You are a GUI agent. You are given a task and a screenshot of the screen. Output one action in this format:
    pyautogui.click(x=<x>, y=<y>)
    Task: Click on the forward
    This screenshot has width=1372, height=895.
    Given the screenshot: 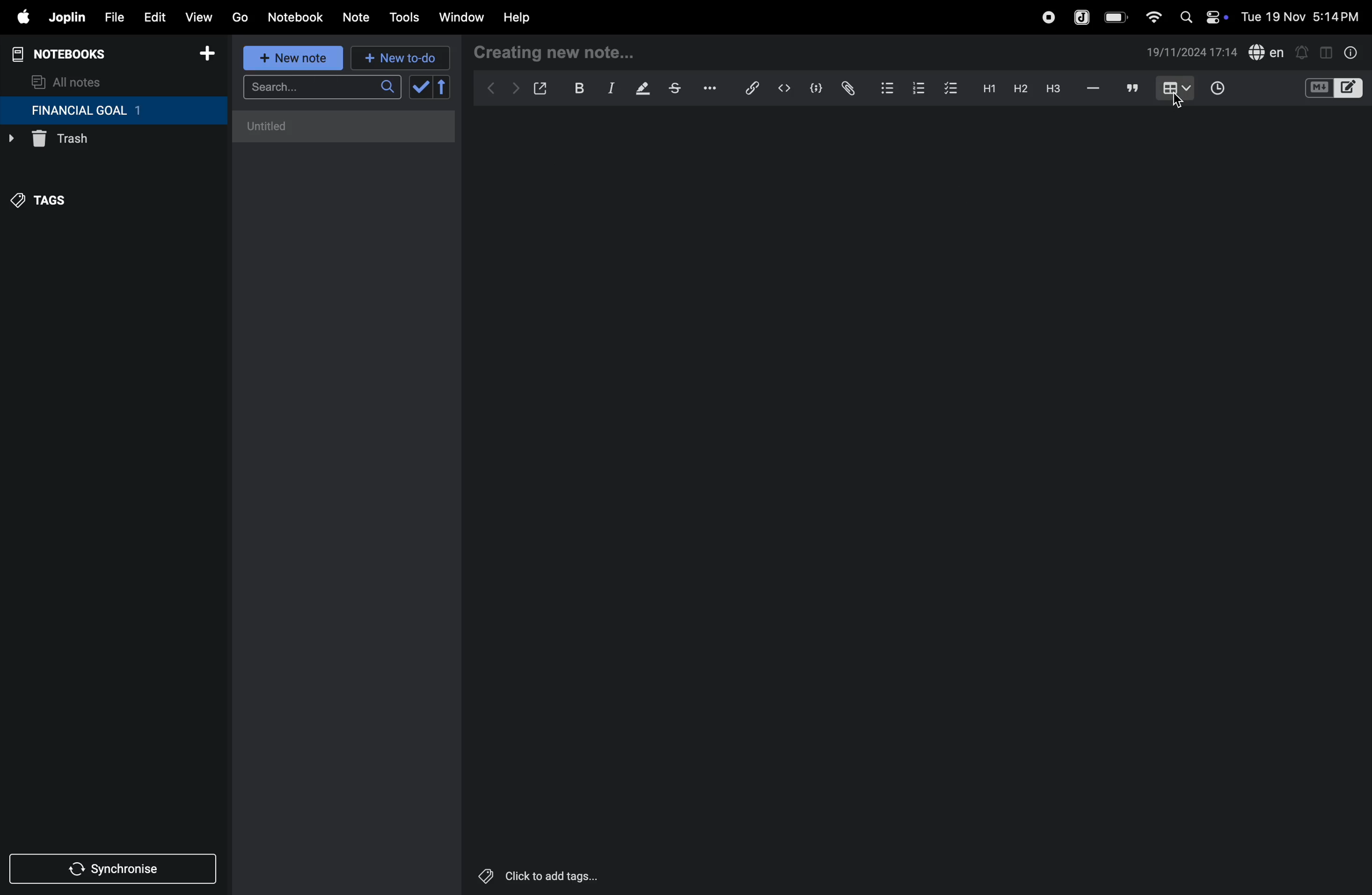 What is the action you would take?
    pyautogui.click(x=512, y=91)
    